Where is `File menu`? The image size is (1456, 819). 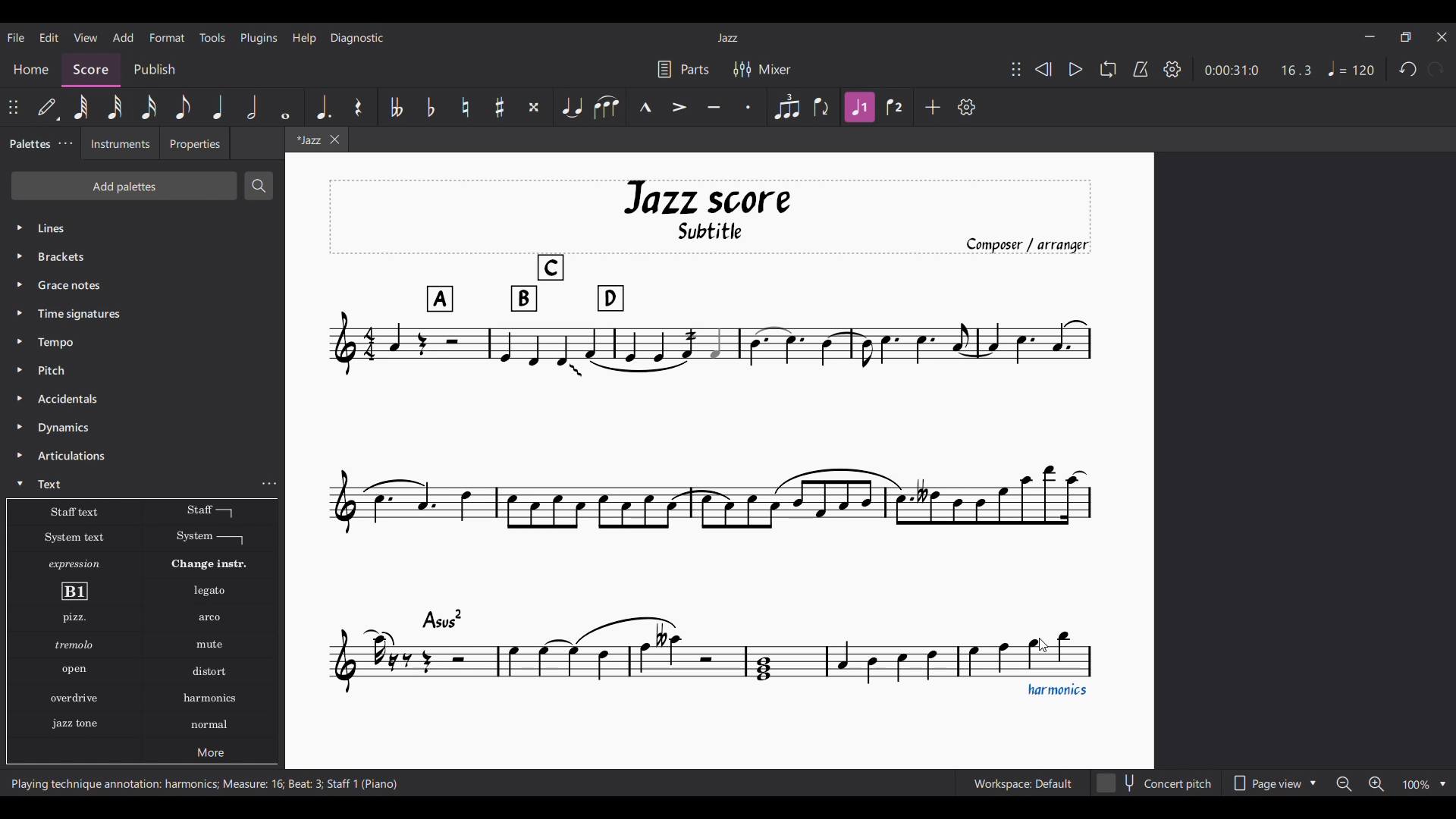
File menu is located at coordinates (17, 37).